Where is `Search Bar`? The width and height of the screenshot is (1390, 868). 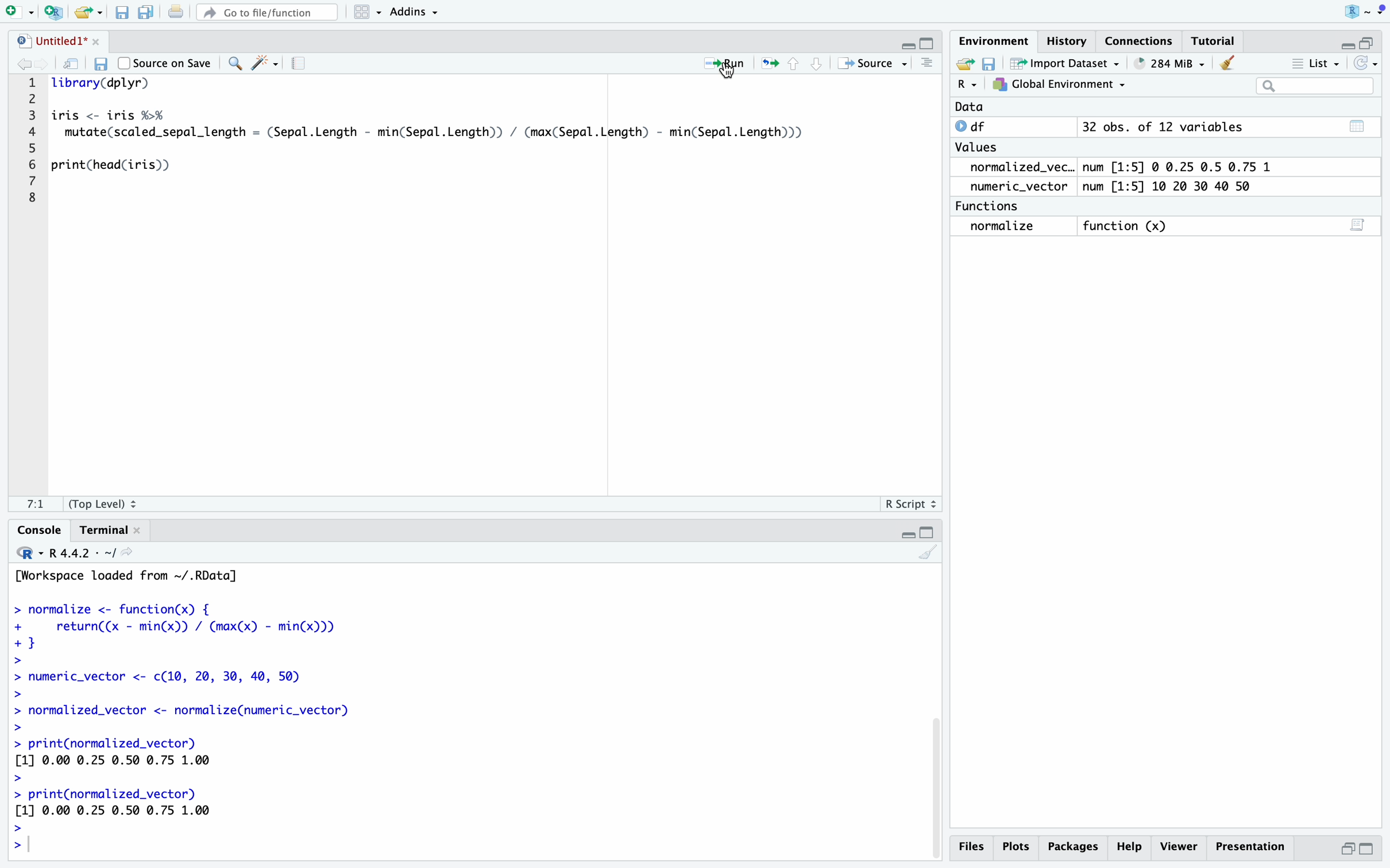
Search Bar is located at coordinates (1314, 87).